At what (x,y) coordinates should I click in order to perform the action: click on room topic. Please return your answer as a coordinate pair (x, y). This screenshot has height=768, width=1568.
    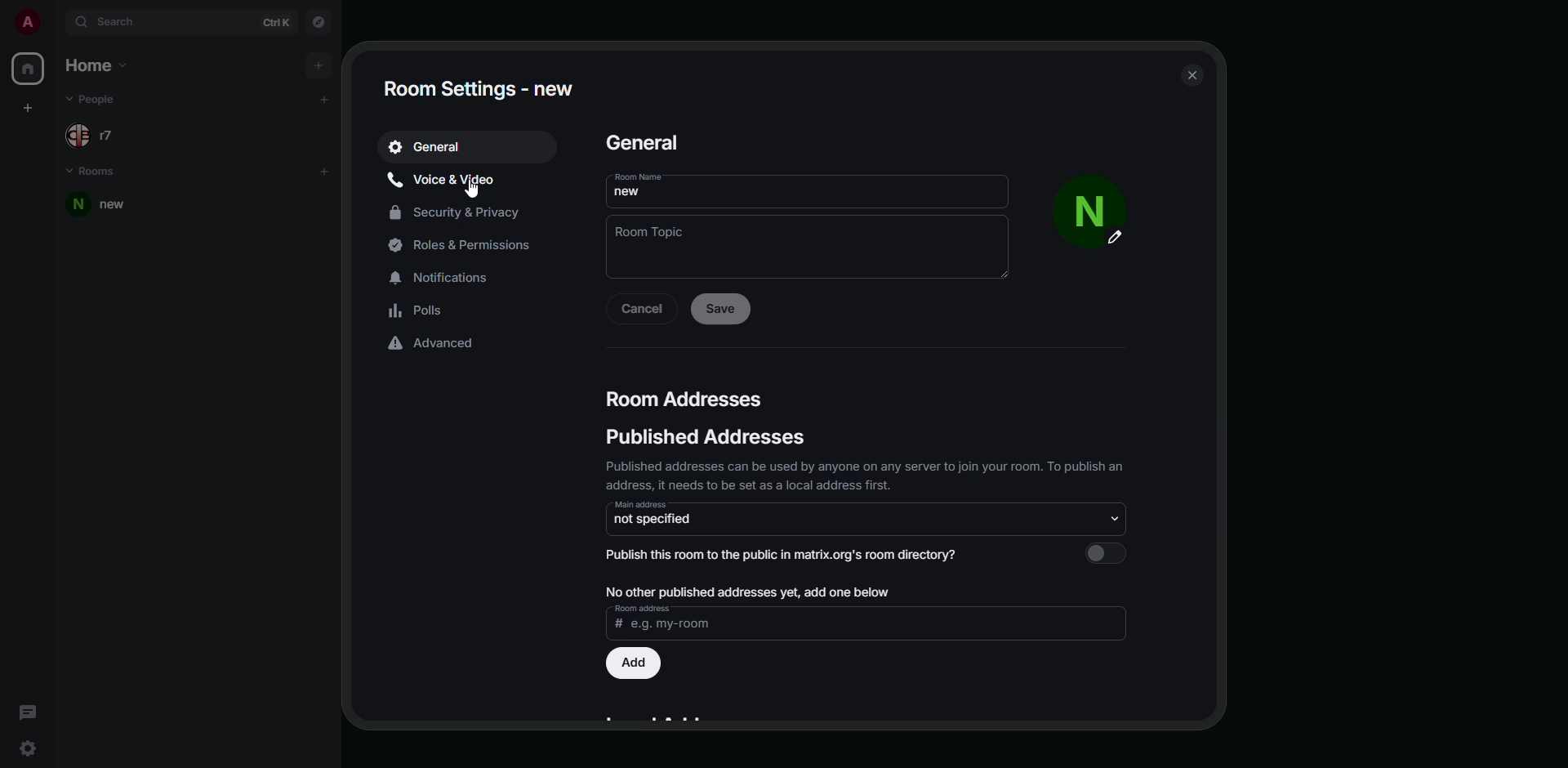
    Looking at the image, I should click on (654, 237).